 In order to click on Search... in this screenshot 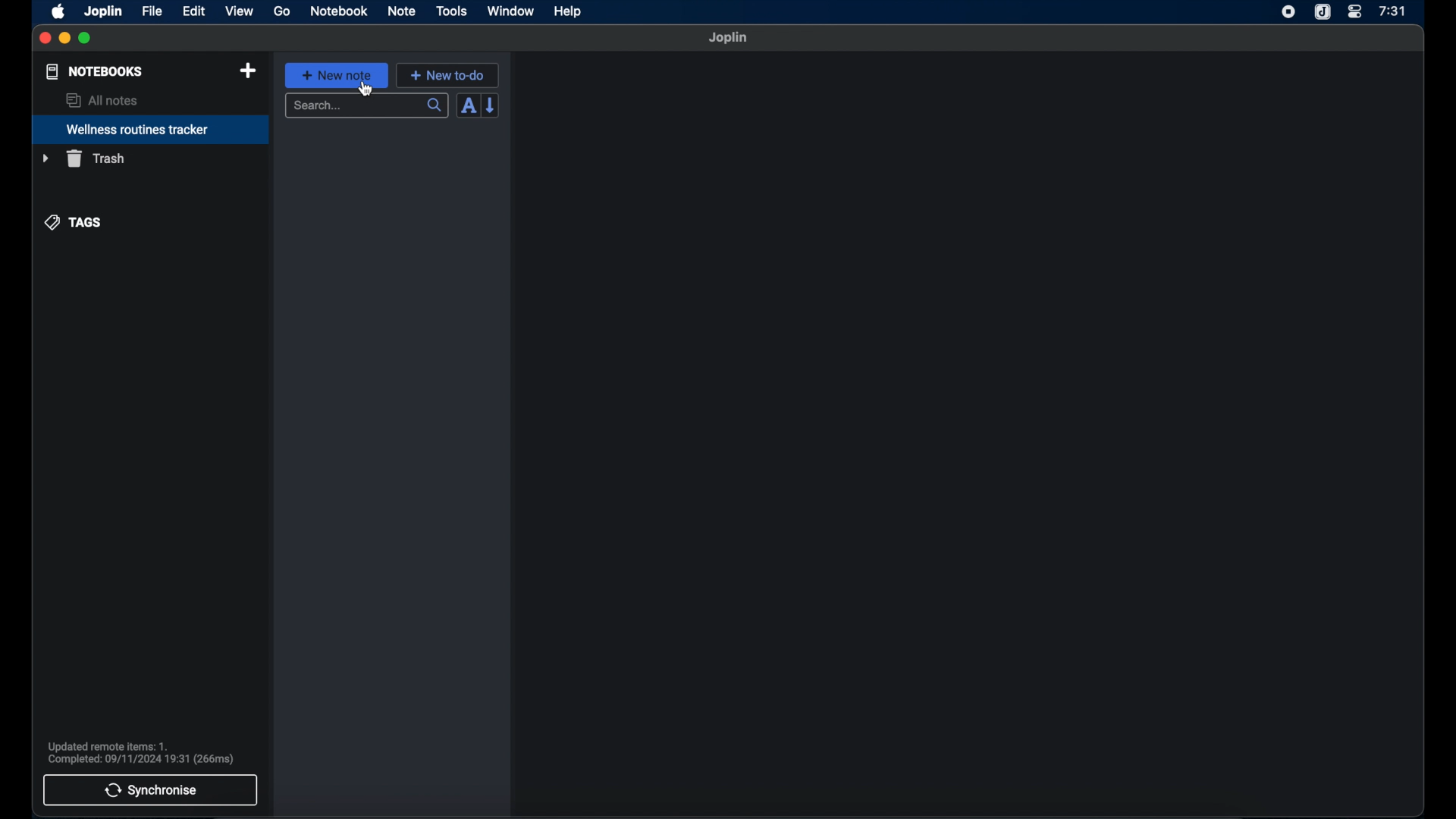, I will do `click(368, 106)`.